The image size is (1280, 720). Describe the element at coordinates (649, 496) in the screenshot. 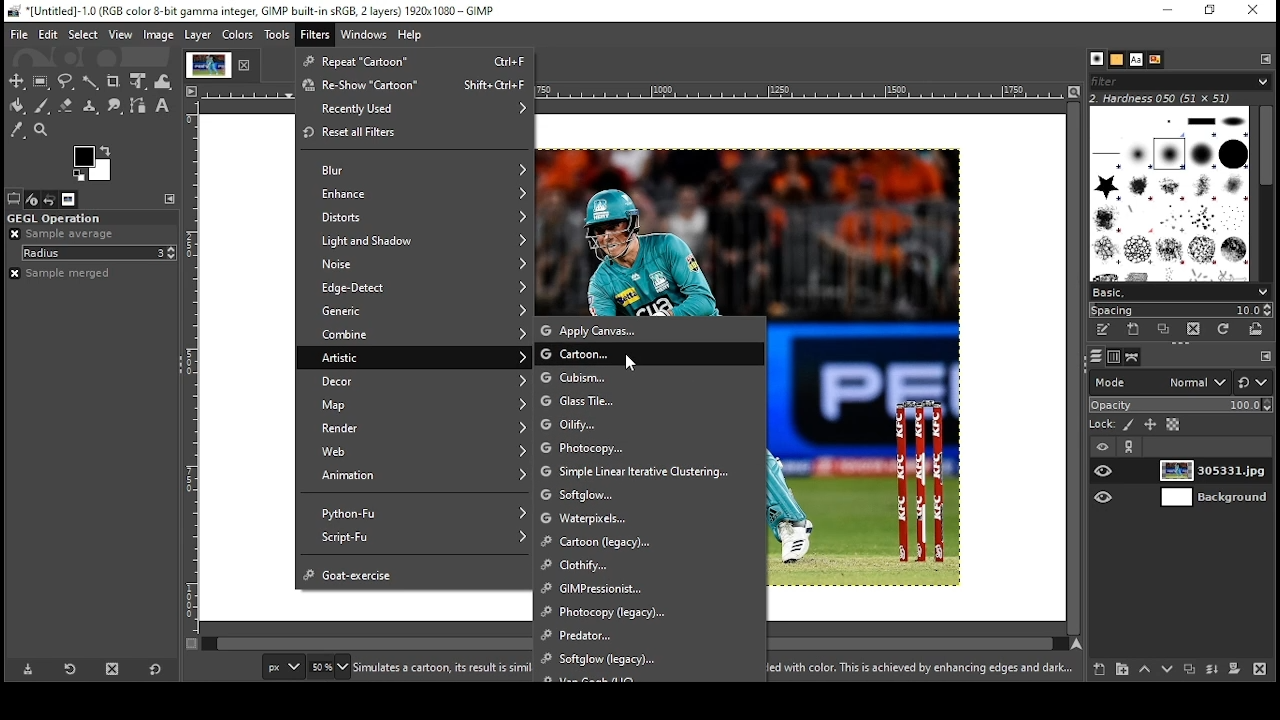

I see `softglow` at that location.